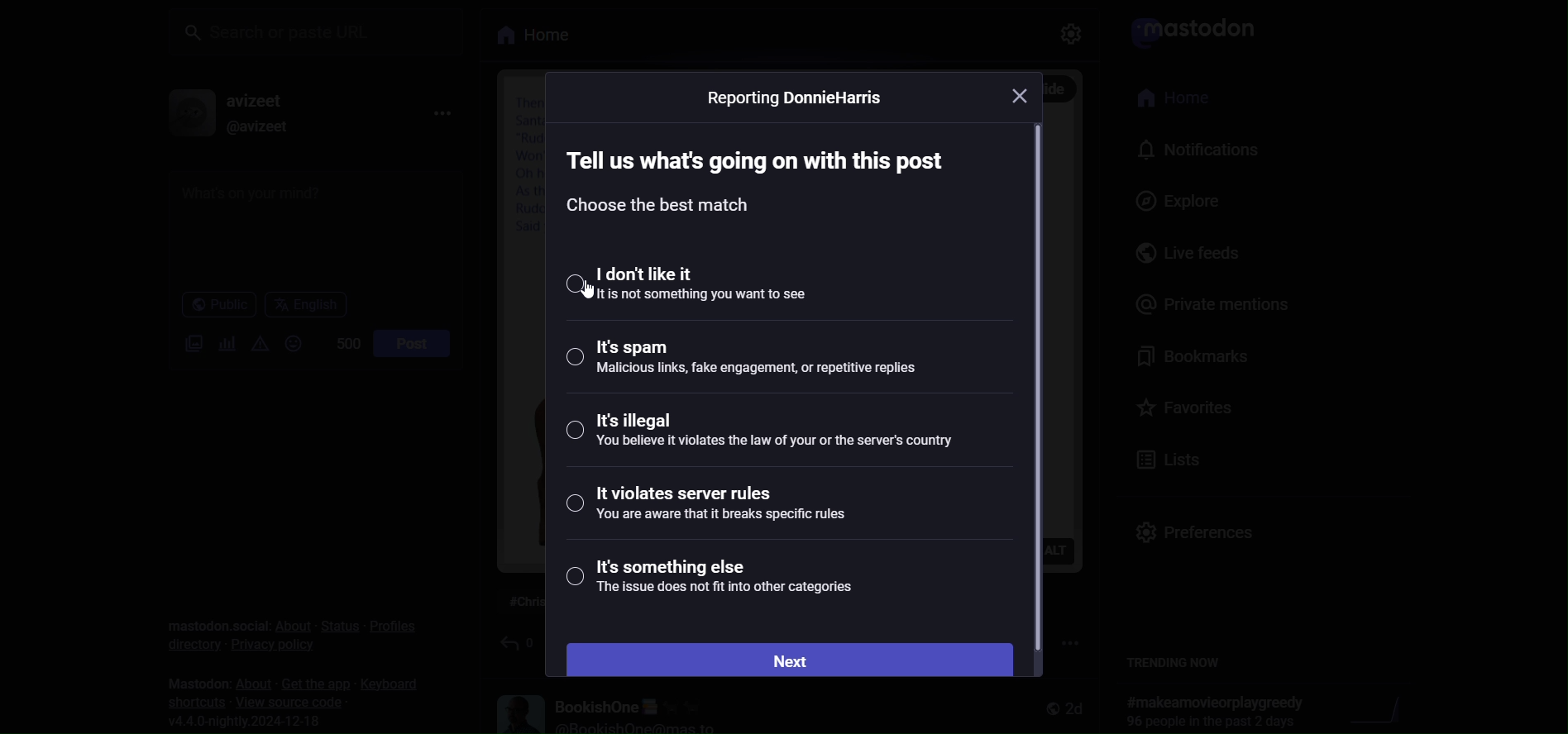 The height and width of the screenshot is (734, 1568). Describe the element at coordinates (308, 227) in the screenshot. I see `What's on your mind?` at that location.